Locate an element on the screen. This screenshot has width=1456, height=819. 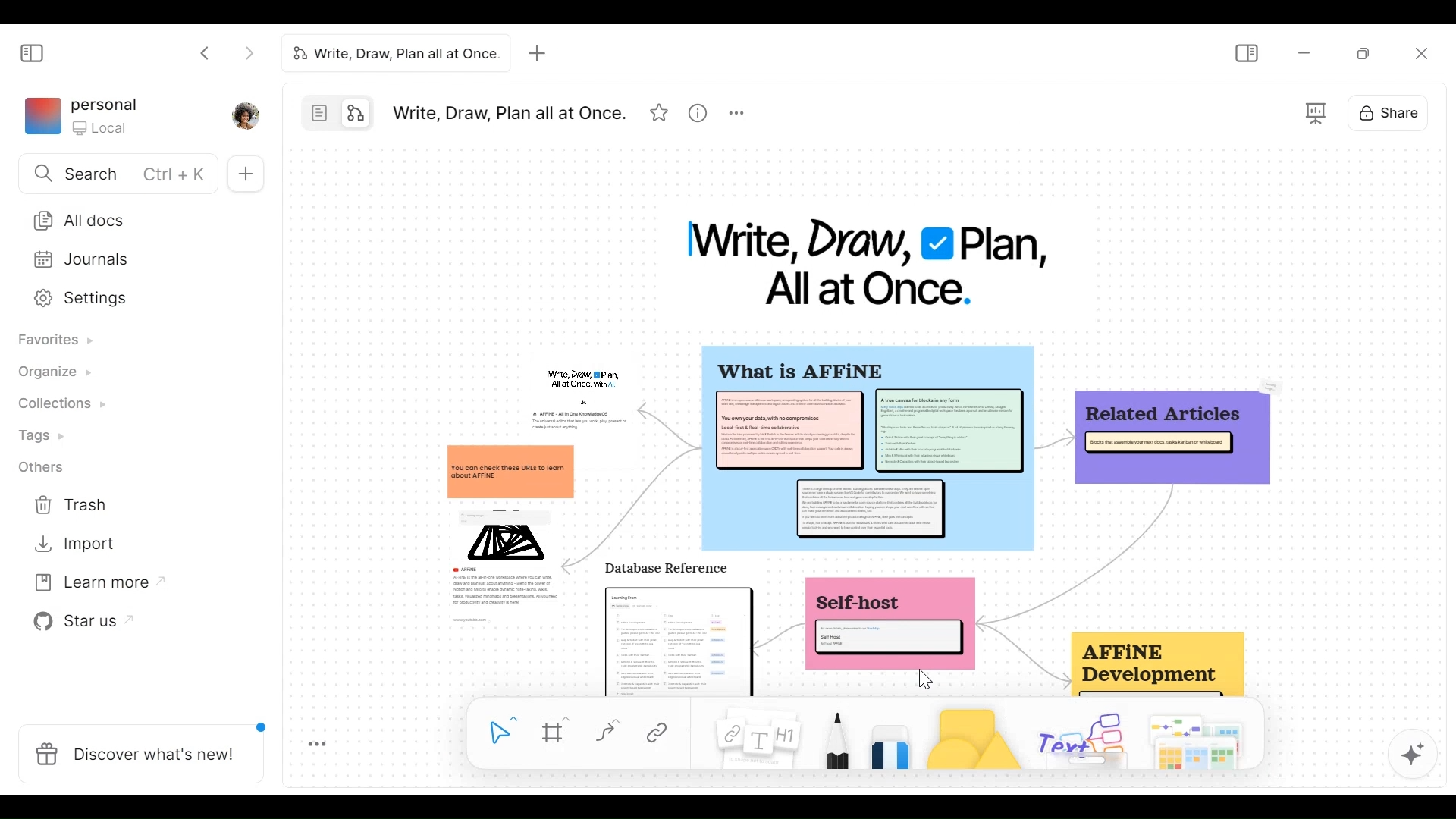
Favorite is located at coordinates (658, 113).